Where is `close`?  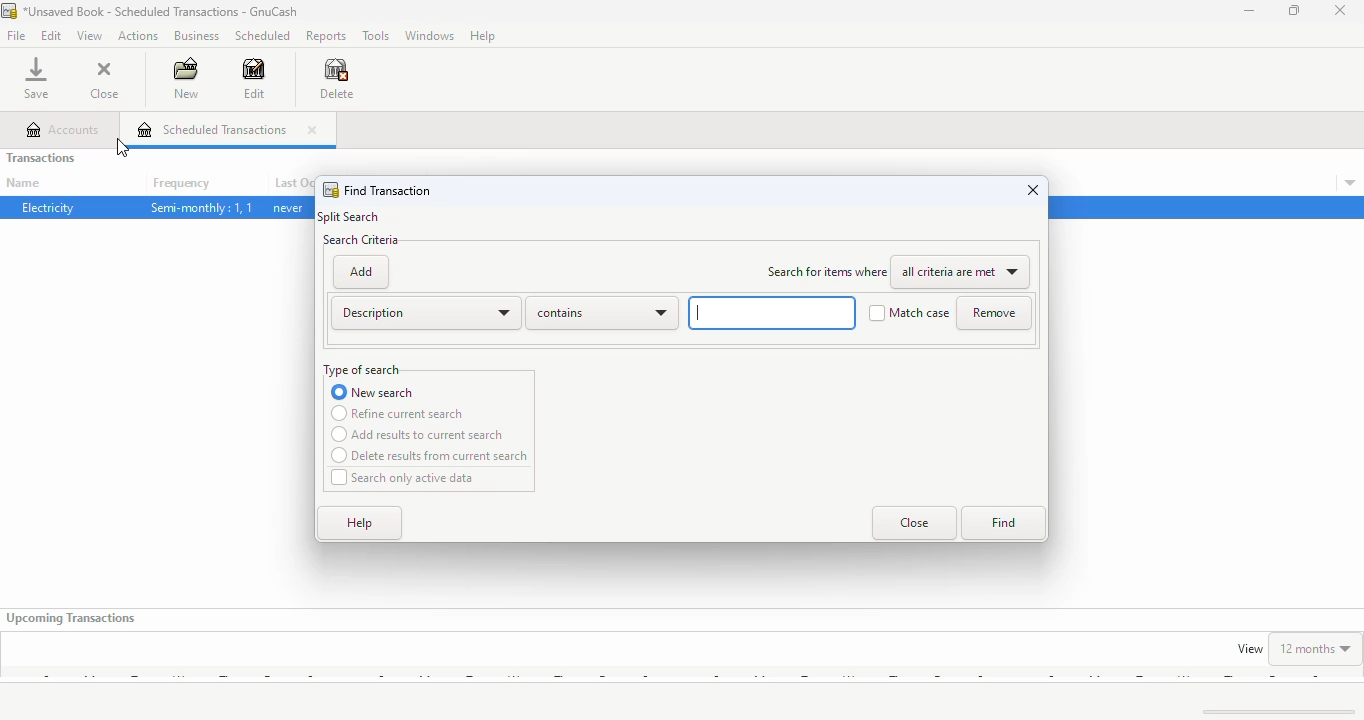 close is located at coordinates (1034, 189).